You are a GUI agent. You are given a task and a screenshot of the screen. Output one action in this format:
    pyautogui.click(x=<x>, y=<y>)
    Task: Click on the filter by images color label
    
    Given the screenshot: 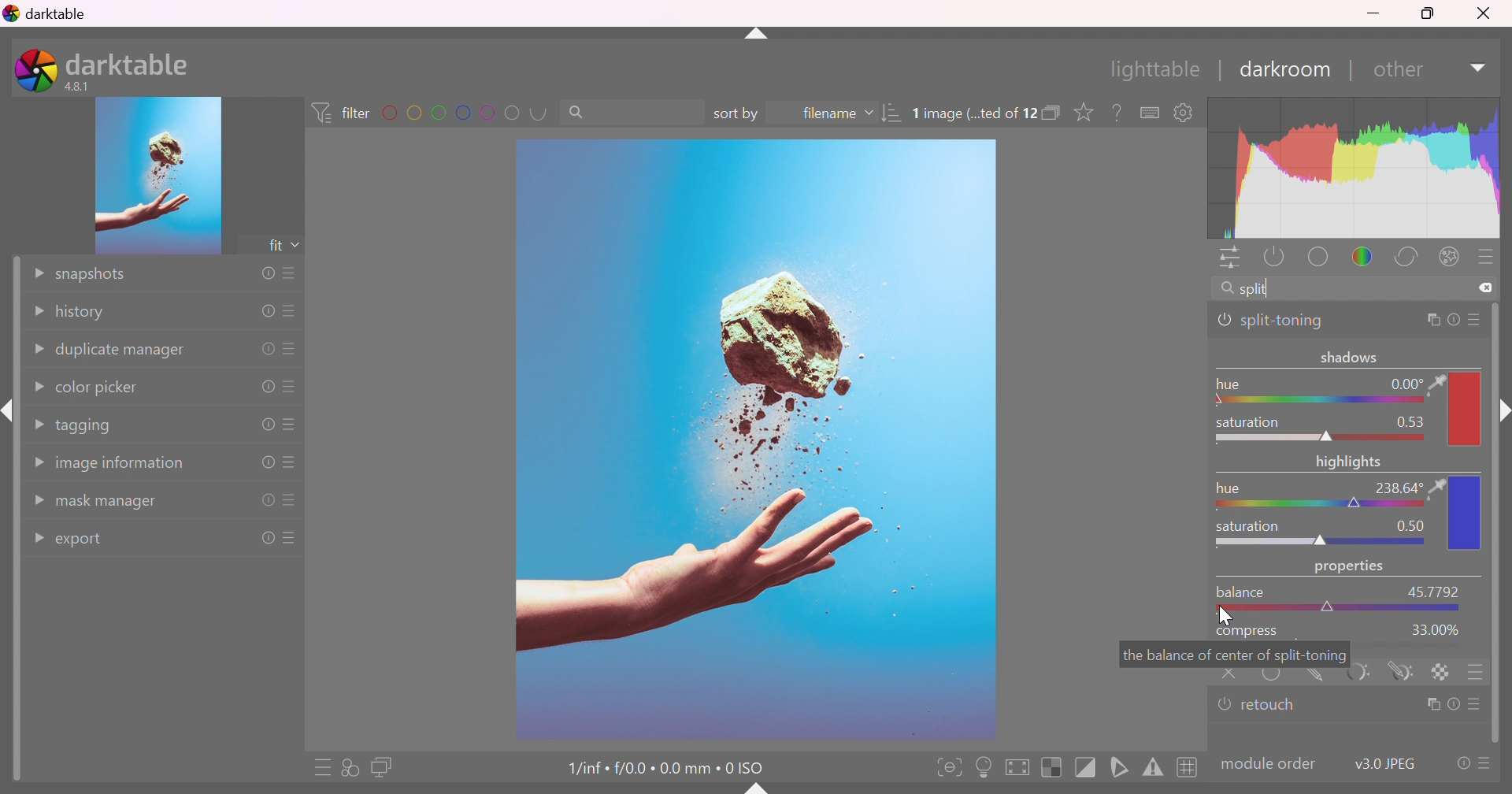 What is the action you would take?
    pyautogui.click(x=465, y=113)
    